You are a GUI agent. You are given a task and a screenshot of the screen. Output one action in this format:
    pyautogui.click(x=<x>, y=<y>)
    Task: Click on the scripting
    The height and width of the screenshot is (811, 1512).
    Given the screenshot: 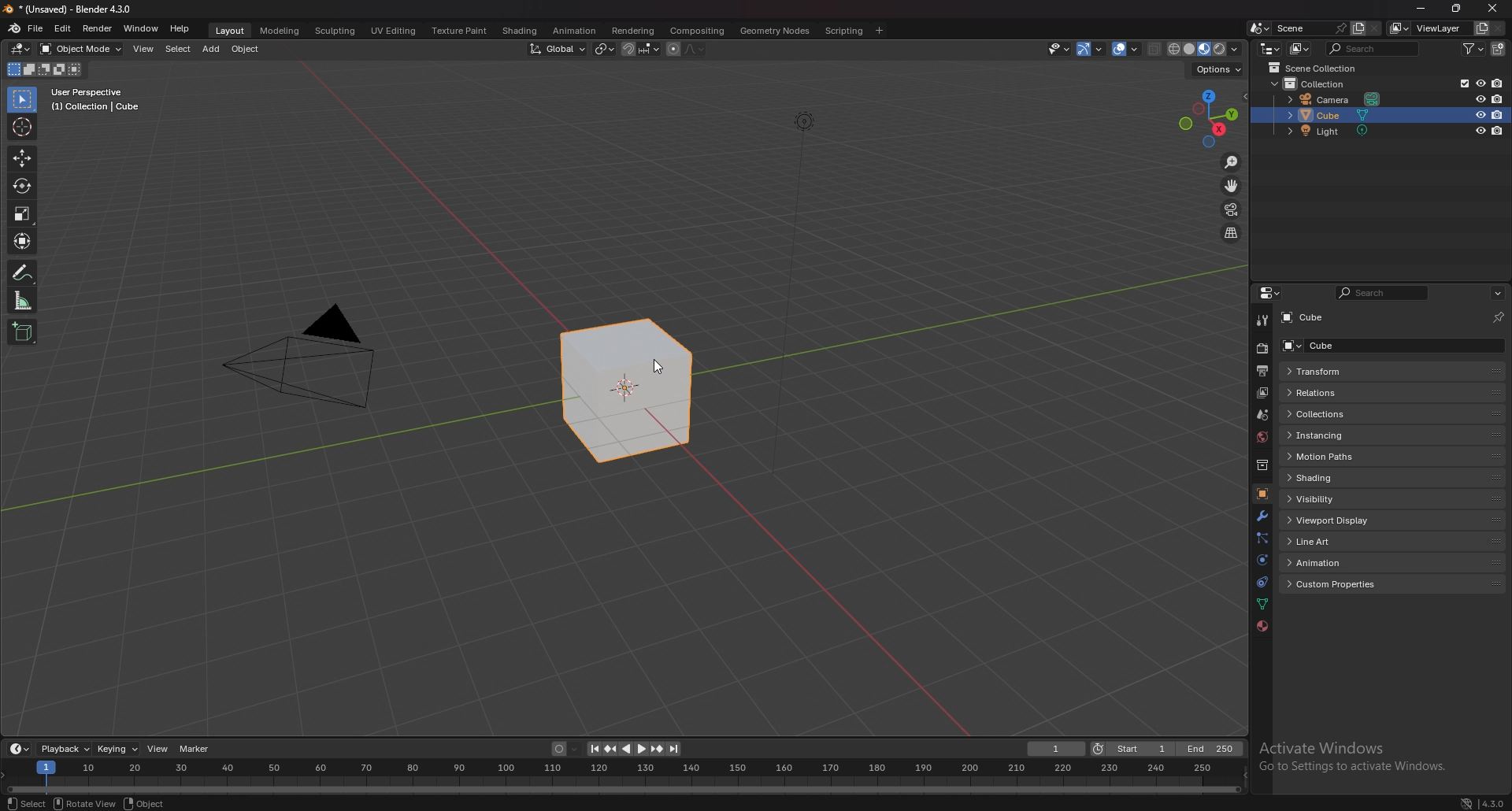 What is the action you would take?
    pyautogui.click(x=843, y=31)
    